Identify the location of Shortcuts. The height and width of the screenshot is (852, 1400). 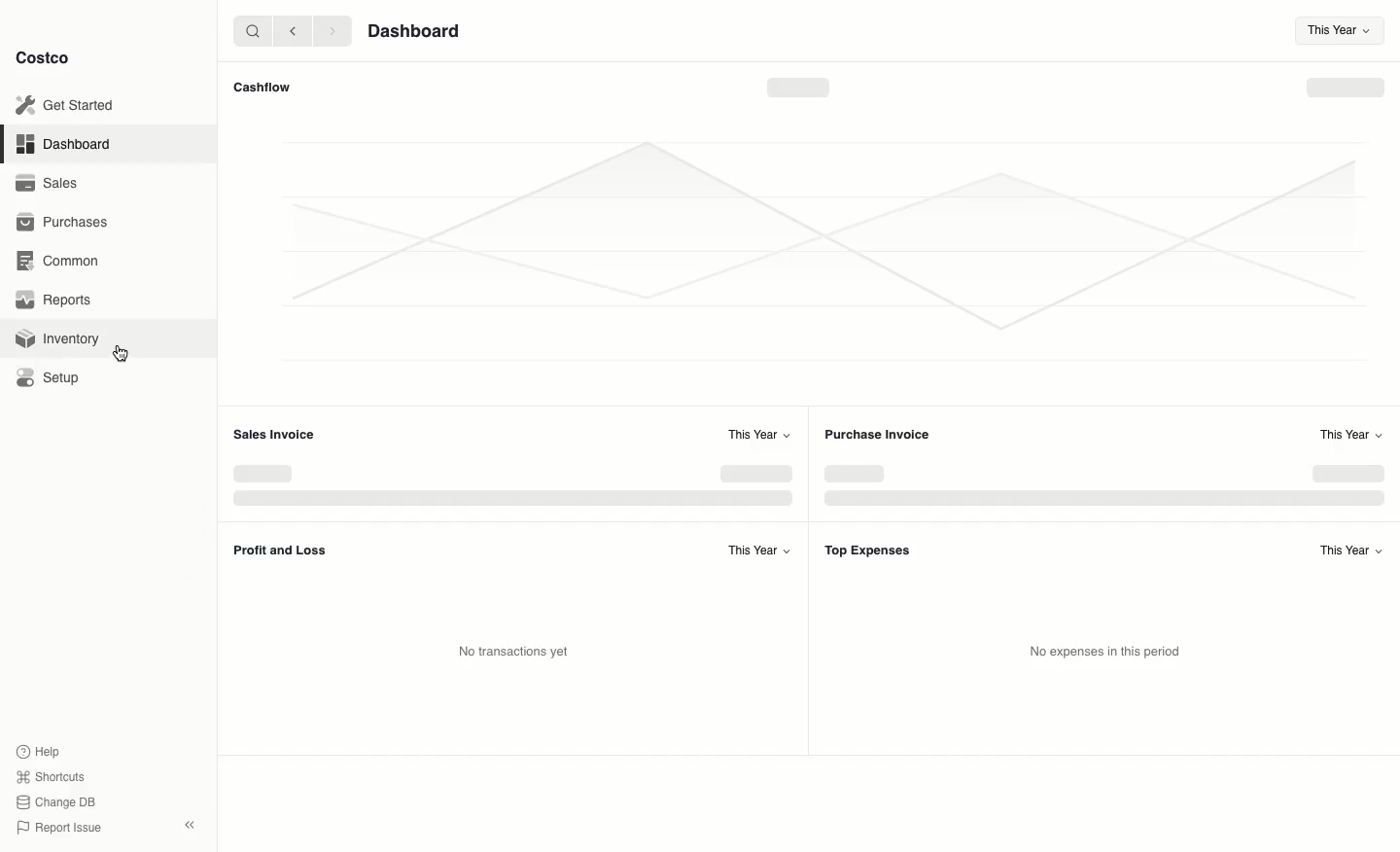
(51, 774).